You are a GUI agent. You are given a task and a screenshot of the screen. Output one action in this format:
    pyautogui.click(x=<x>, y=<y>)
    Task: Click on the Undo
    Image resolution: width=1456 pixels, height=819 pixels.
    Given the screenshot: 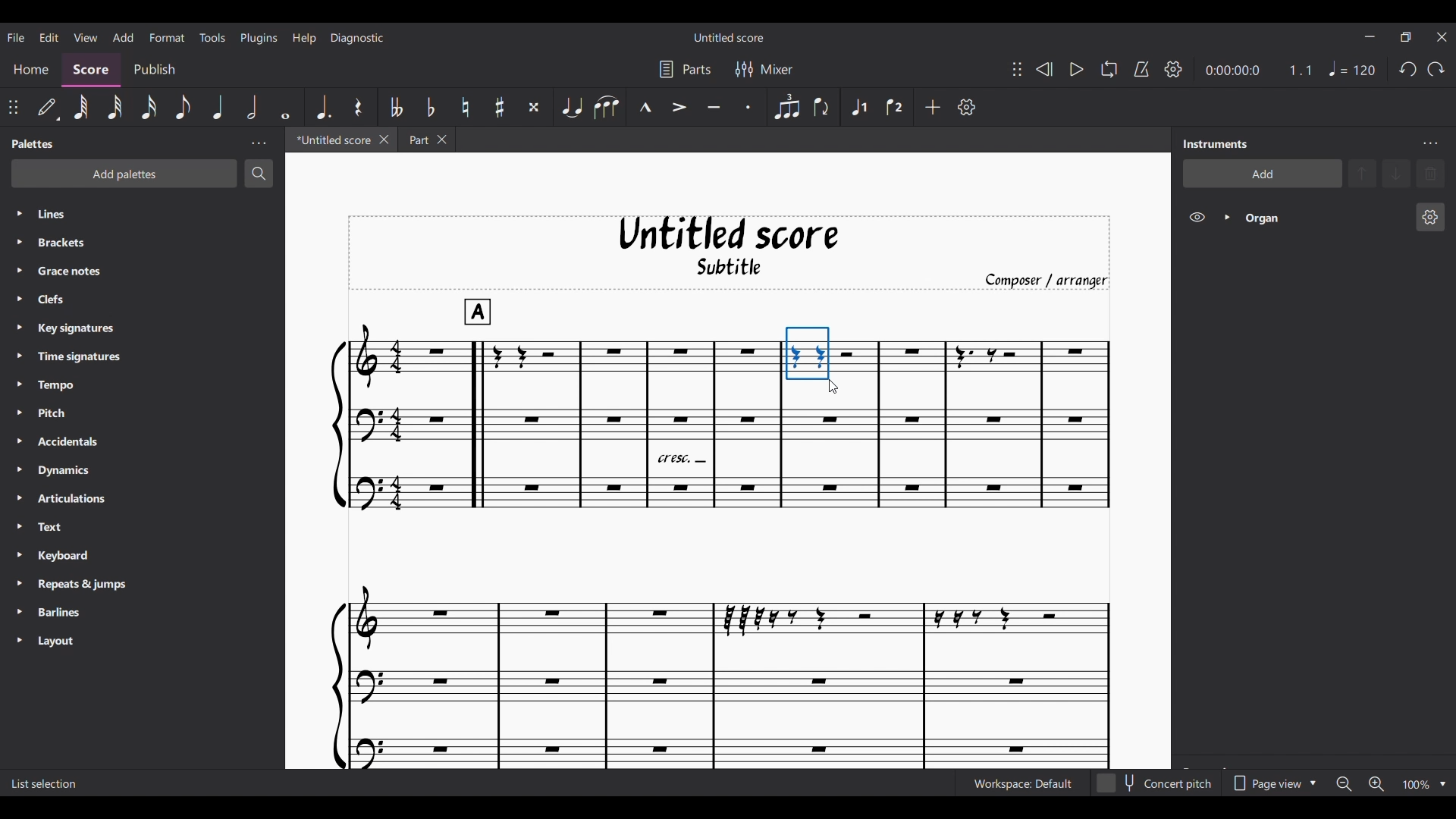 What is the action you would take?
    pyautogui.click(x=1408, y=69)
    